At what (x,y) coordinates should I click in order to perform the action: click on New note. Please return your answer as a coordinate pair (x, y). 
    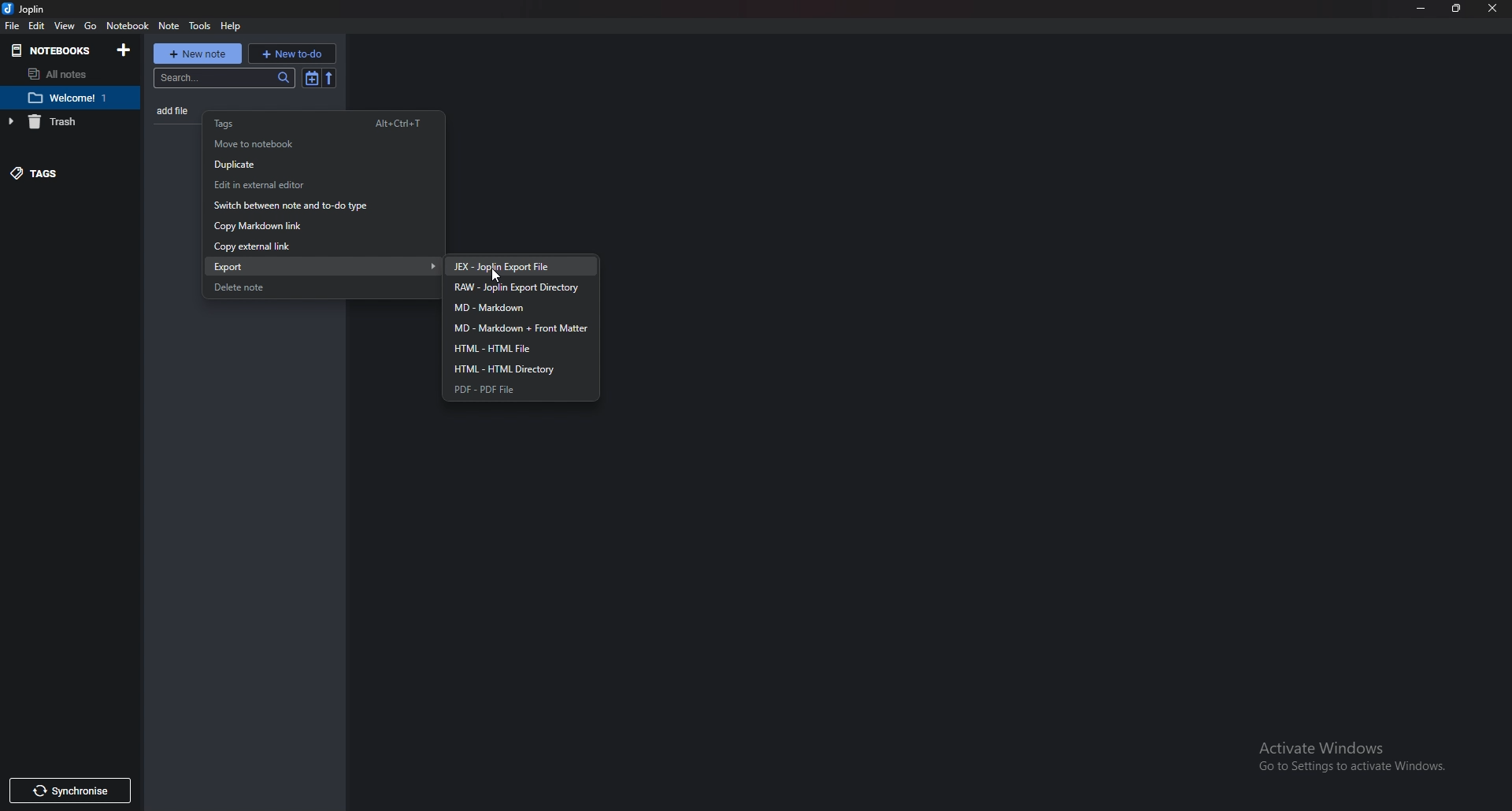
    Looking at the image, I should click on (197, 52).